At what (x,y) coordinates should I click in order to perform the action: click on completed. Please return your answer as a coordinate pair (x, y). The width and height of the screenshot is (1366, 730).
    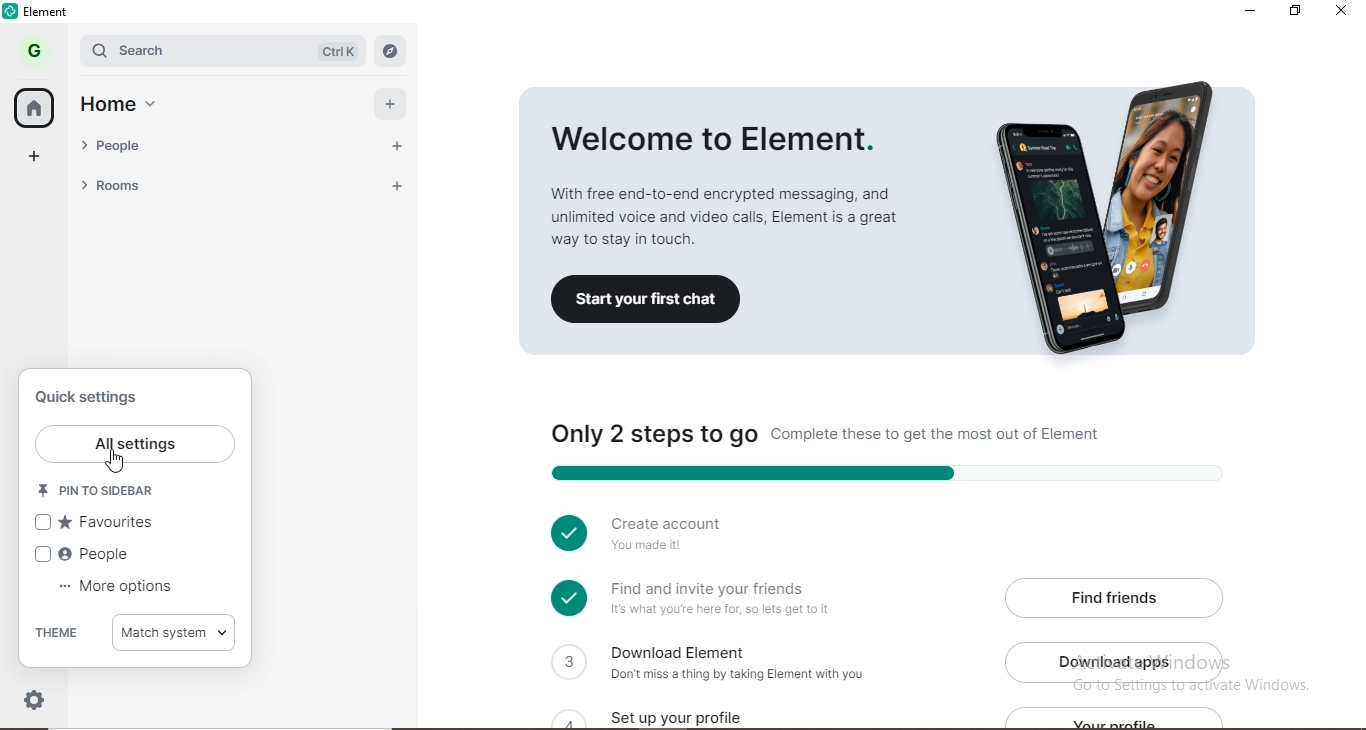
    Looking at the image, I should click on (567, 598).